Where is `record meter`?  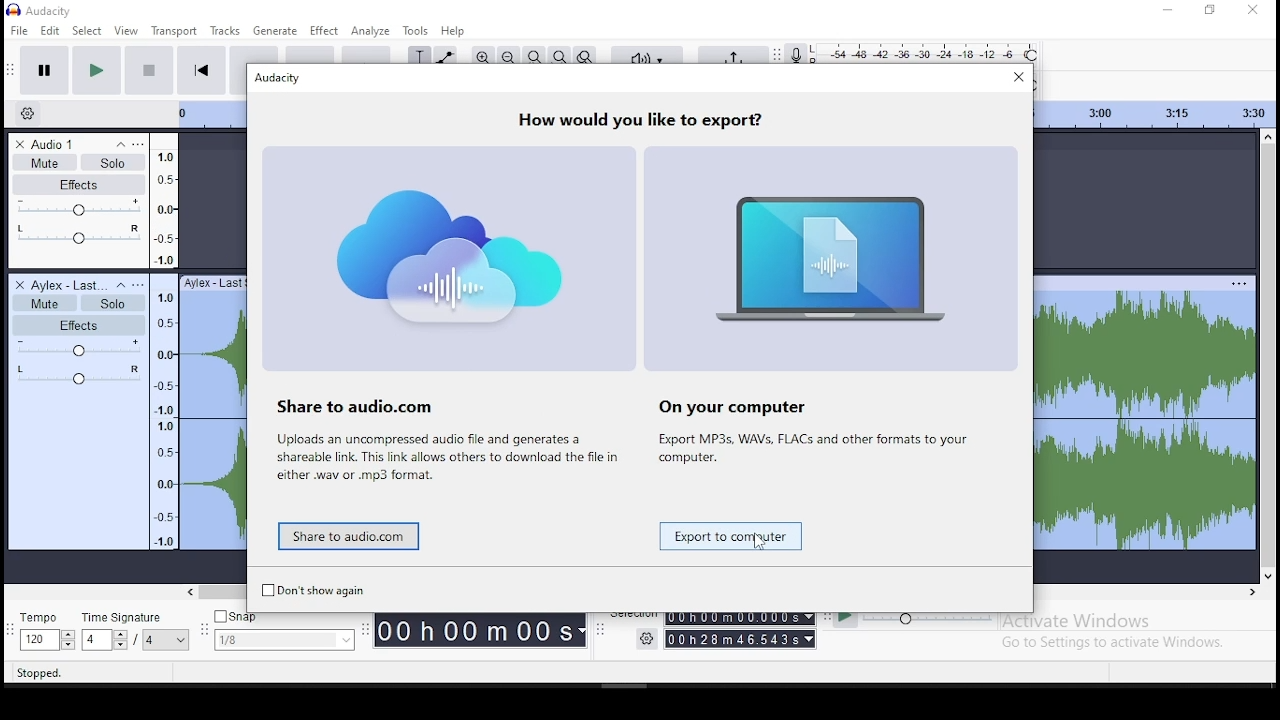 record meter is located at coordinates (796, 55).